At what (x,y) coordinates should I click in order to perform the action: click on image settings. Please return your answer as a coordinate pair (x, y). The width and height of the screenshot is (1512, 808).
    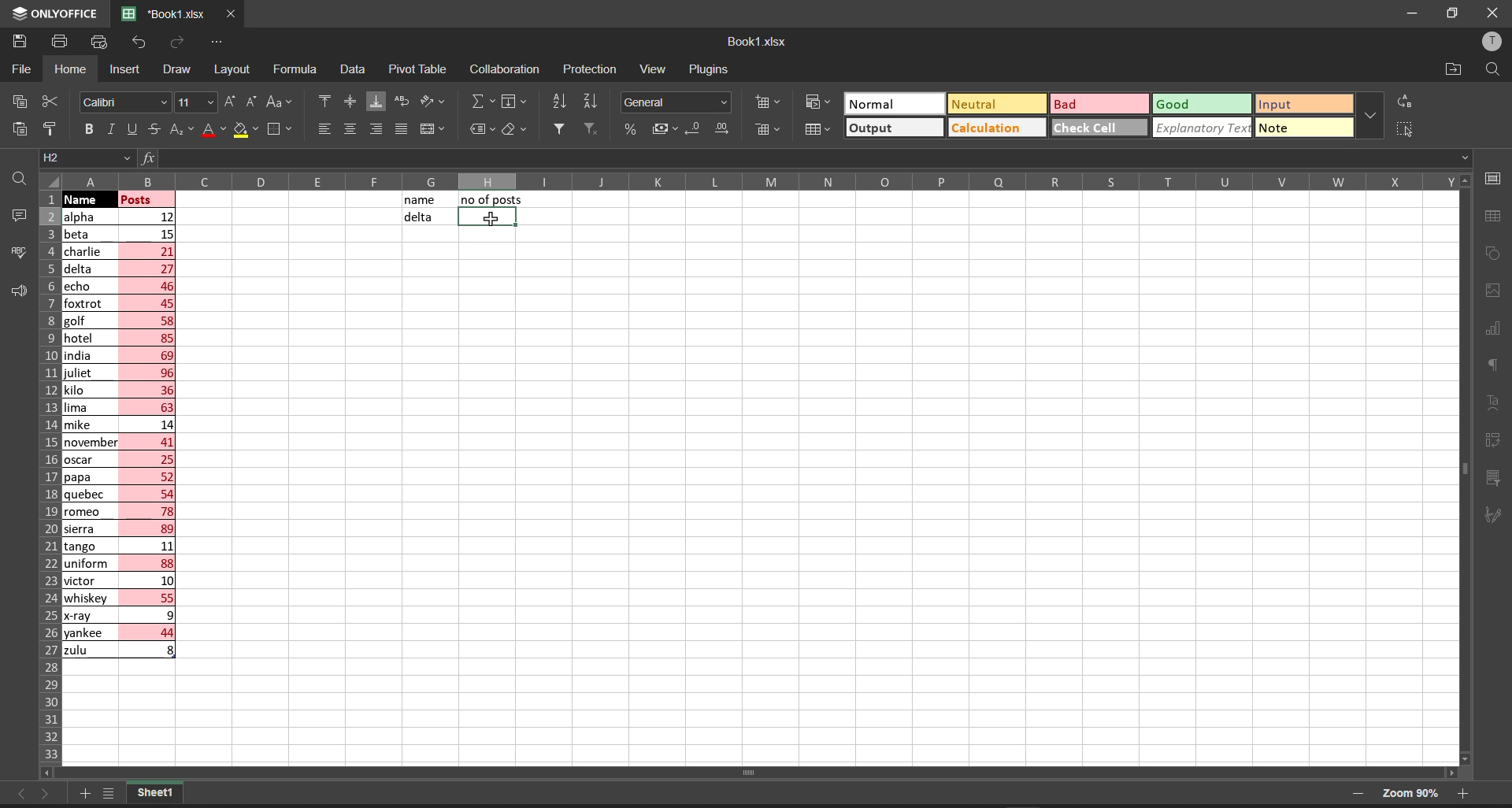
    Looking at the image, I should click on (1494, 294).